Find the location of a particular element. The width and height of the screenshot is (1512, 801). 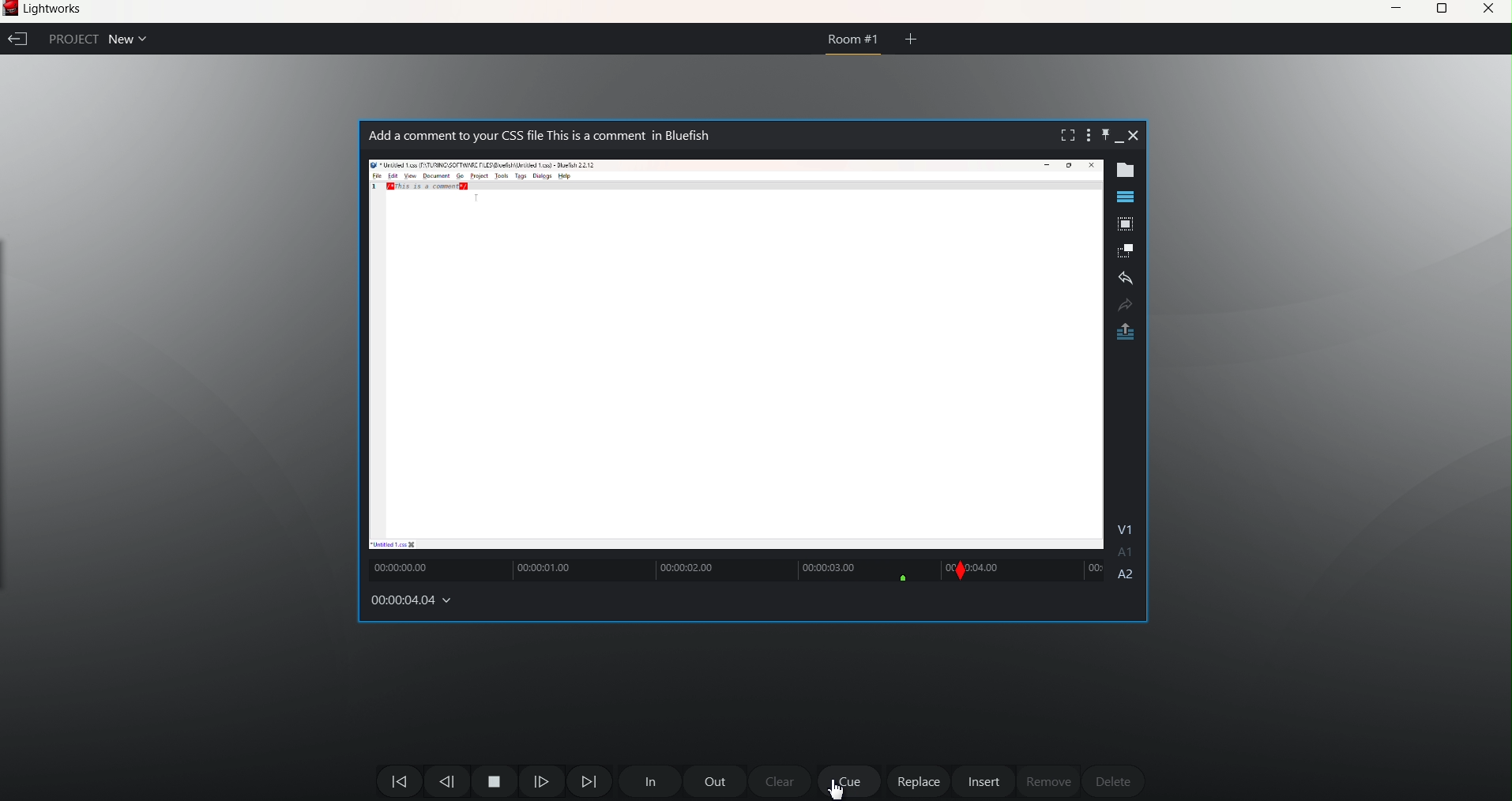

A2 is located at coordinates (1127, 577).